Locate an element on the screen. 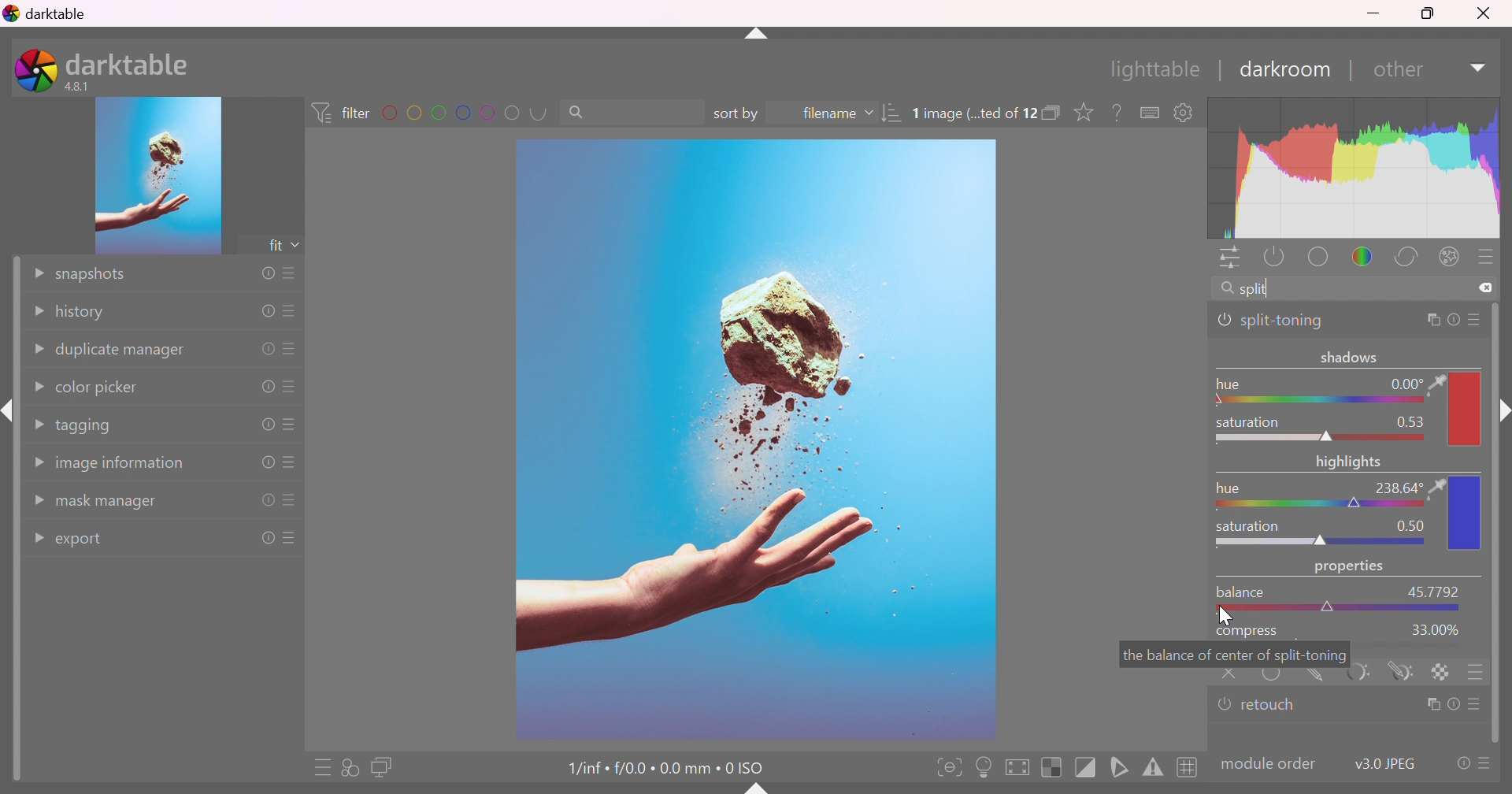  presets is located at coordinates (1485, 764).